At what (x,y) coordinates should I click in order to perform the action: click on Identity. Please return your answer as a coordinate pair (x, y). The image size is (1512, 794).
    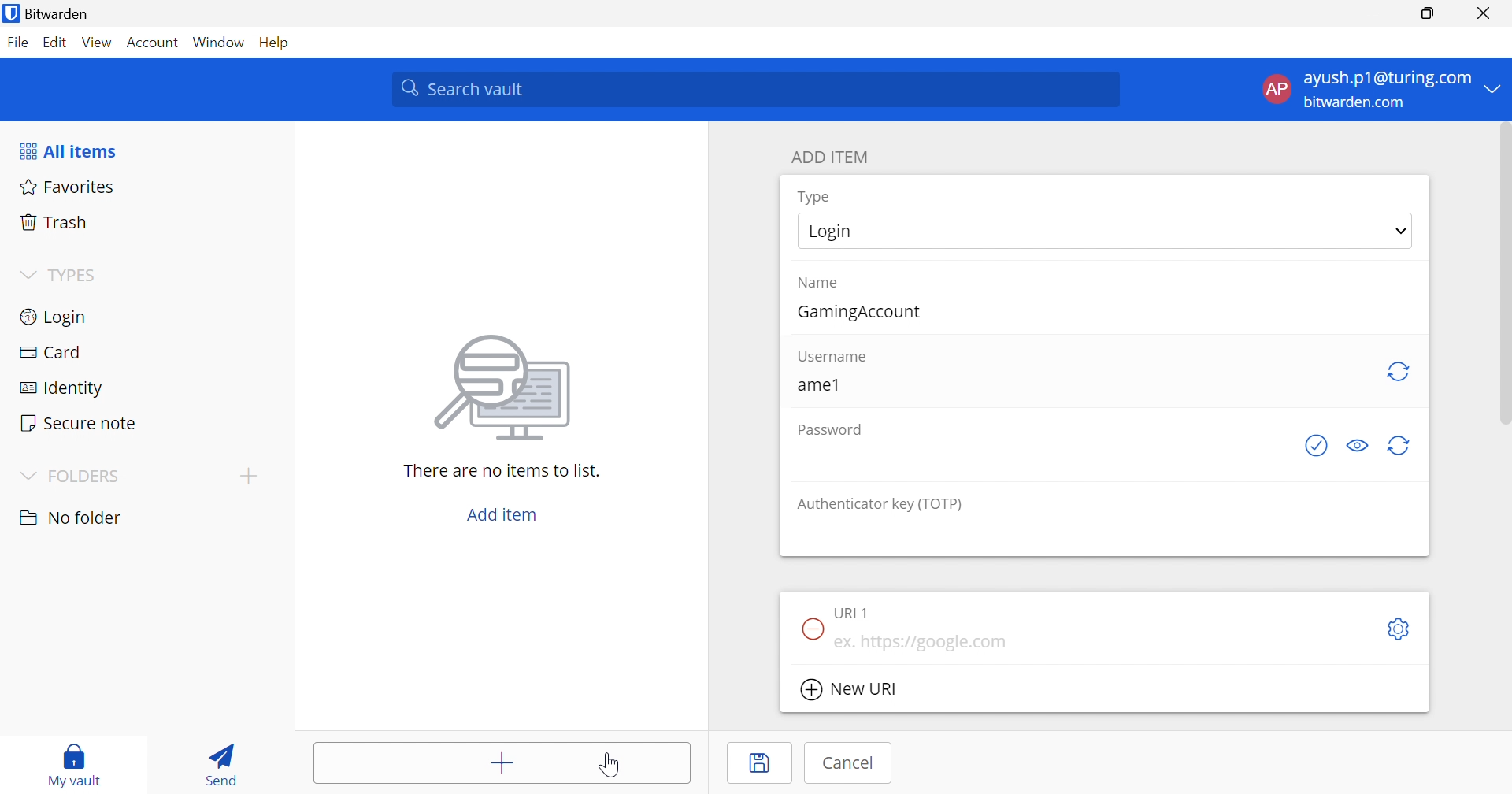
    Looking at the image, I should click on (63, 390).